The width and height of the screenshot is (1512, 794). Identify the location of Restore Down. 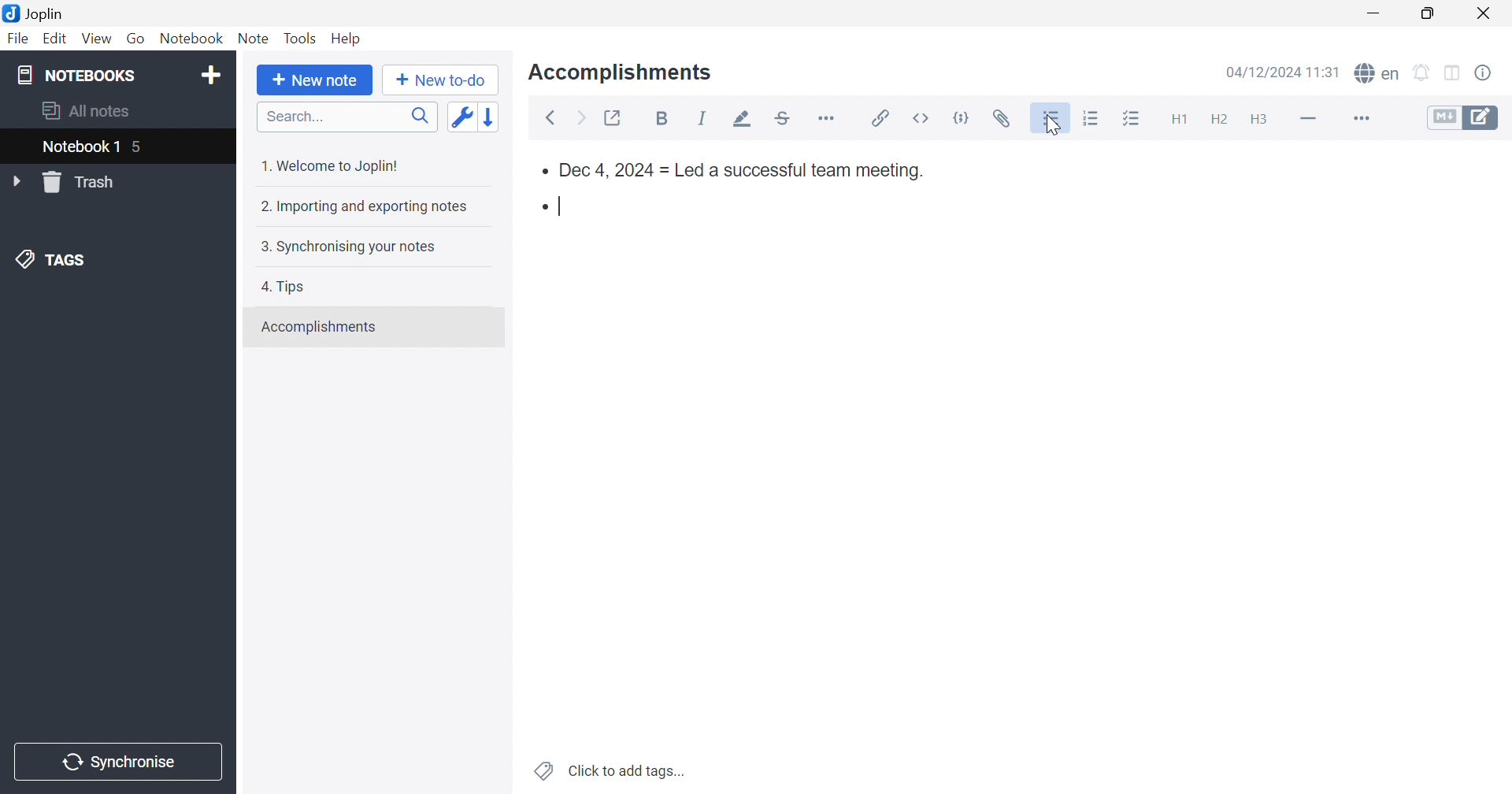
(1429, 14).